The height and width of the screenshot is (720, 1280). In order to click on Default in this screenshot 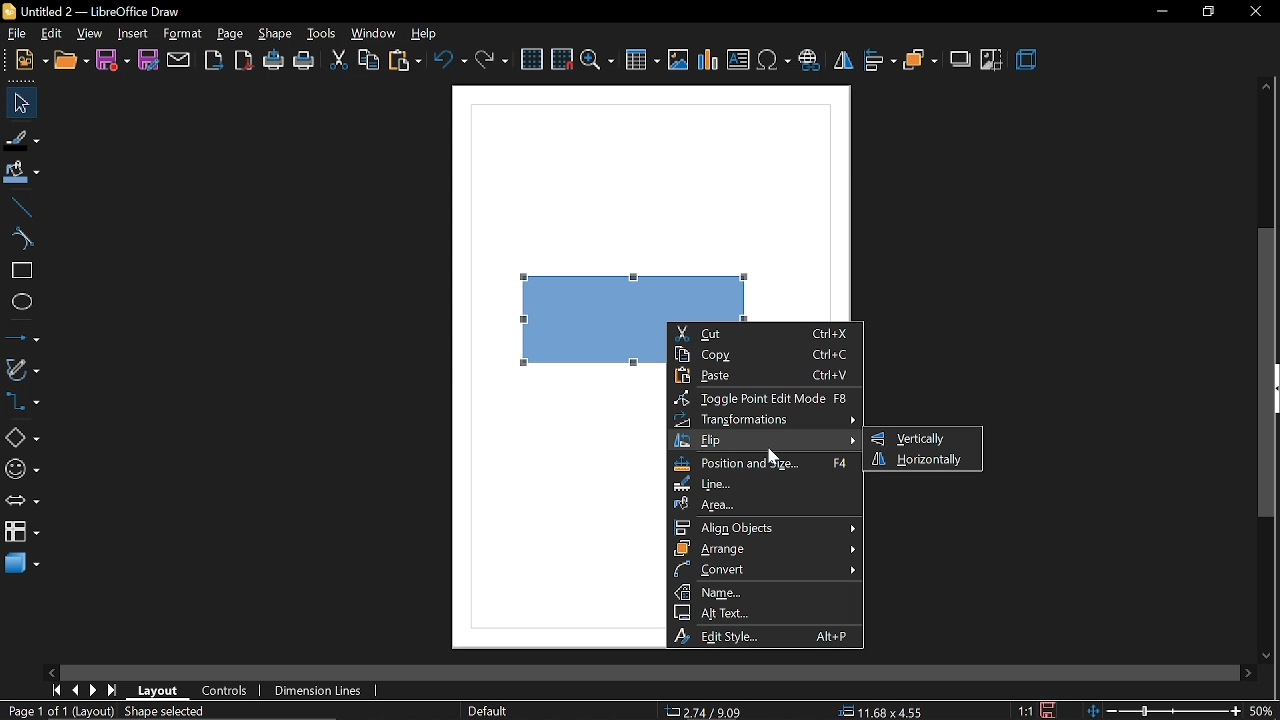, I will do `click(486, 712)`.